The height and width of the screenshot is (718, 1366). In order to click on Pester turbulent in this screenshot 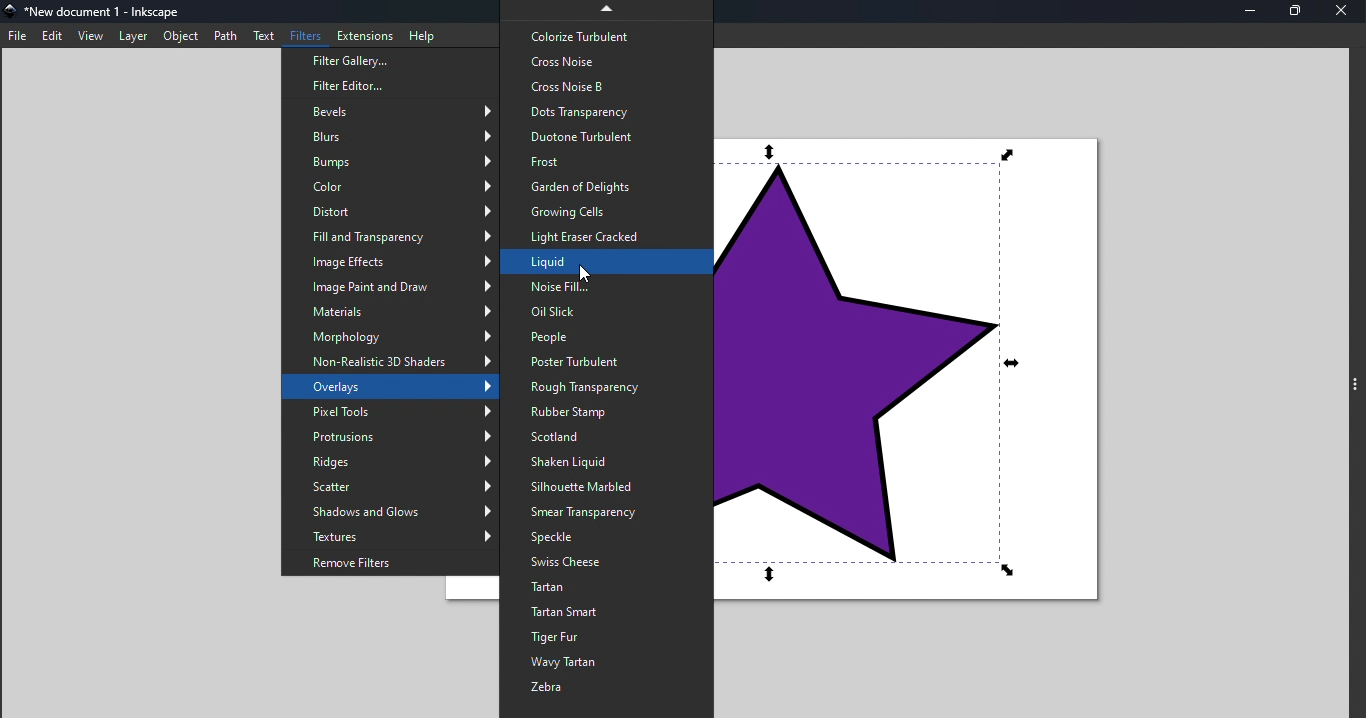, I will do `click(604, 361)`.